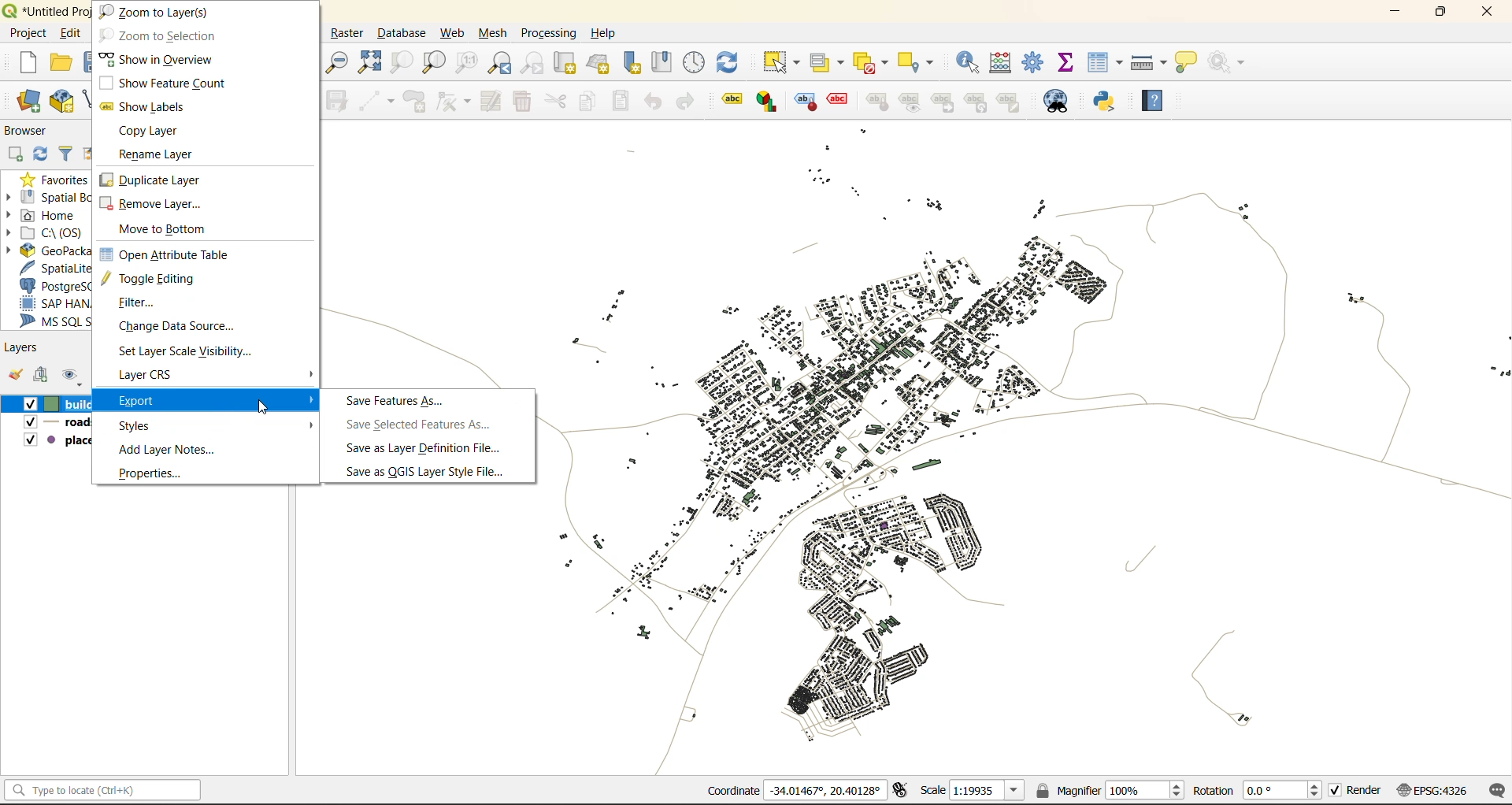 Image resolution: width=1512 pixels, height=805 pixels. I want to click on new 3d map view, so click(600, 65).